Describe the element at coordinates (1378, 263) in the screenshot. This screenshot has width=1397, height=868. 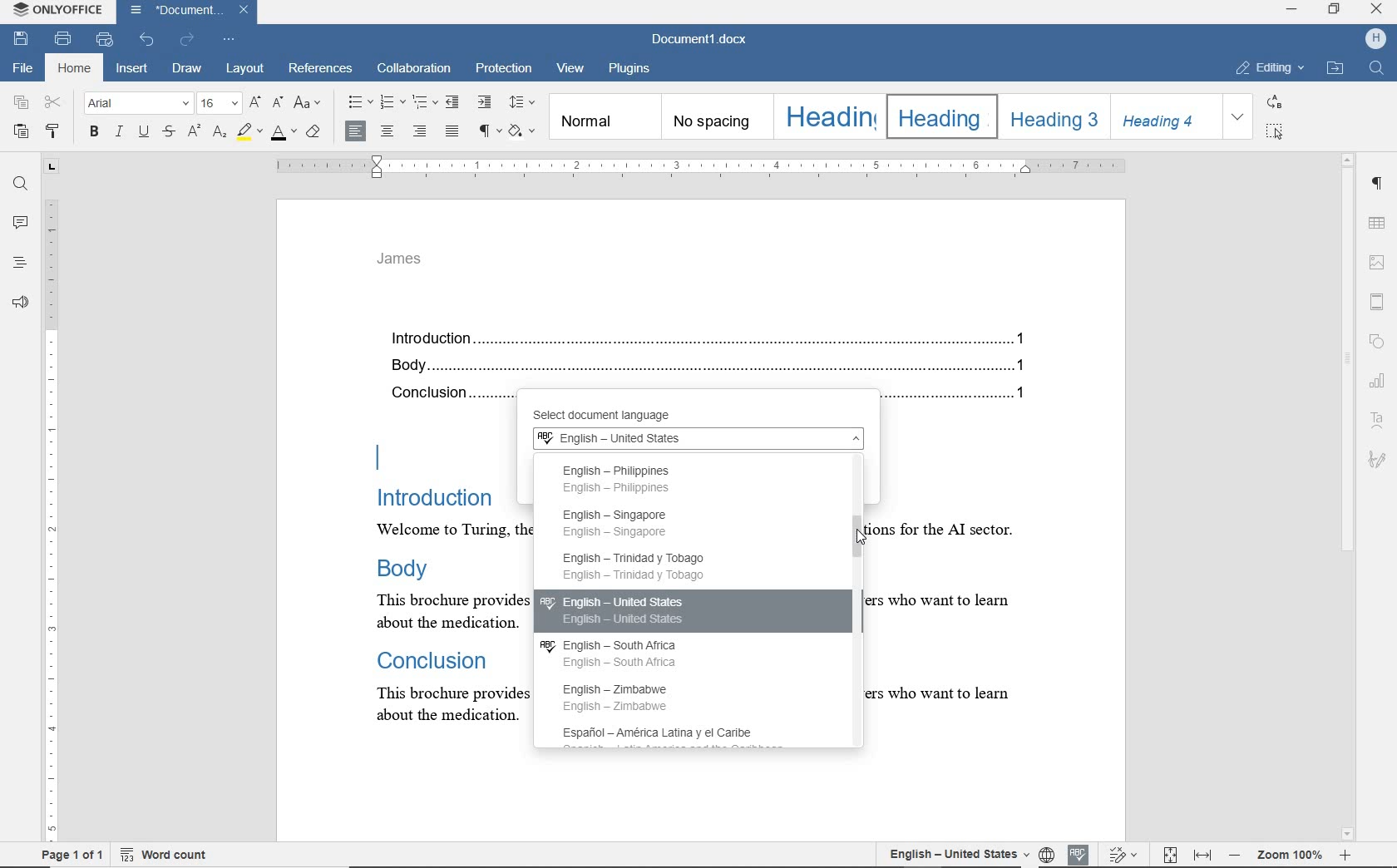
I see `insert image` at that location.